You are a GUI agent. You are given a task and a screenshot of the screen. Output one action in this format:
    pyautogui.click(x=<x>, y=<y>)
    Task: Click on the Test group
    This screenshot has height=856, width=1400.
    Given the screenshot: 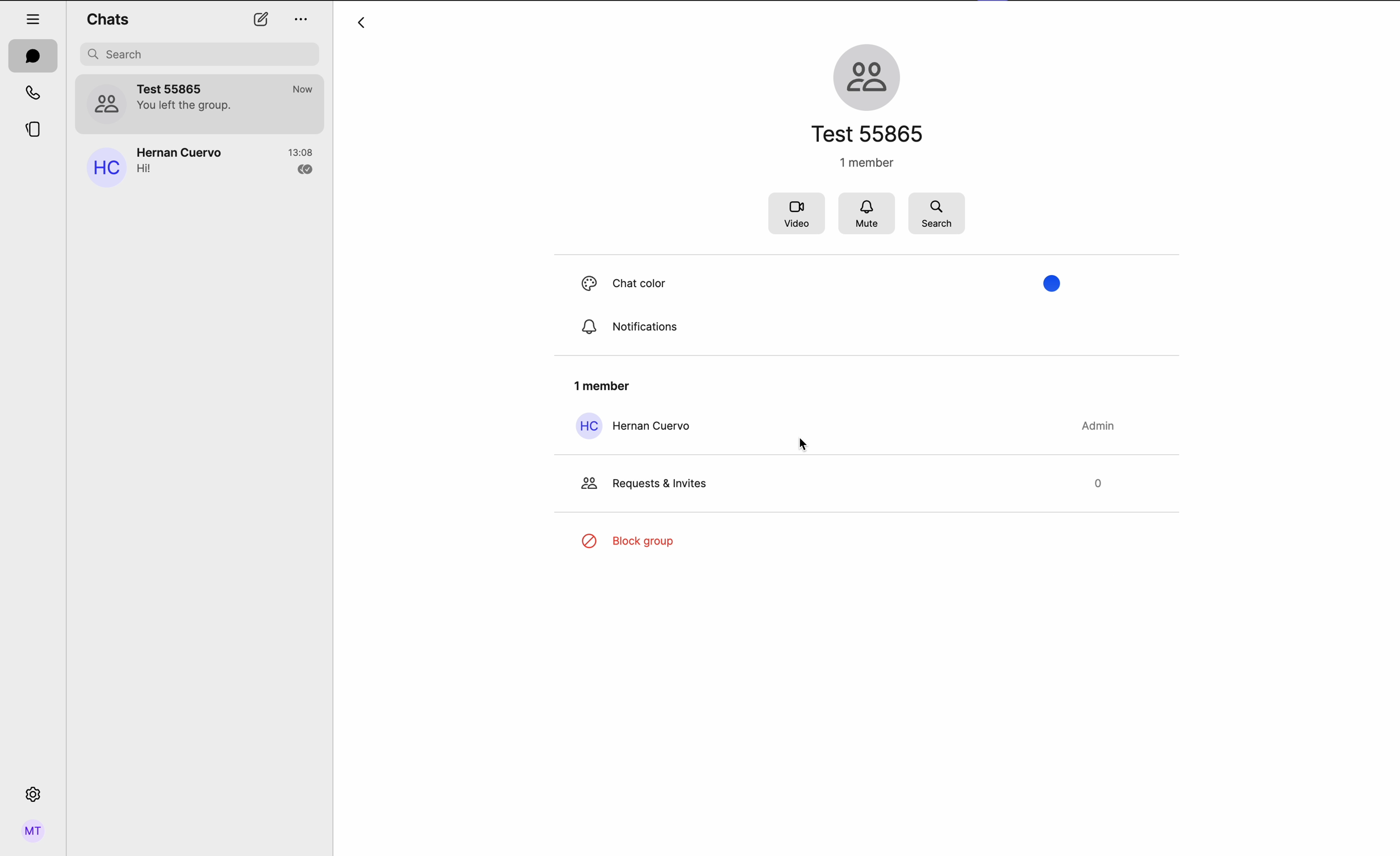 What is the action you would take?
    pyautogui.click(x=227, y=104)
    